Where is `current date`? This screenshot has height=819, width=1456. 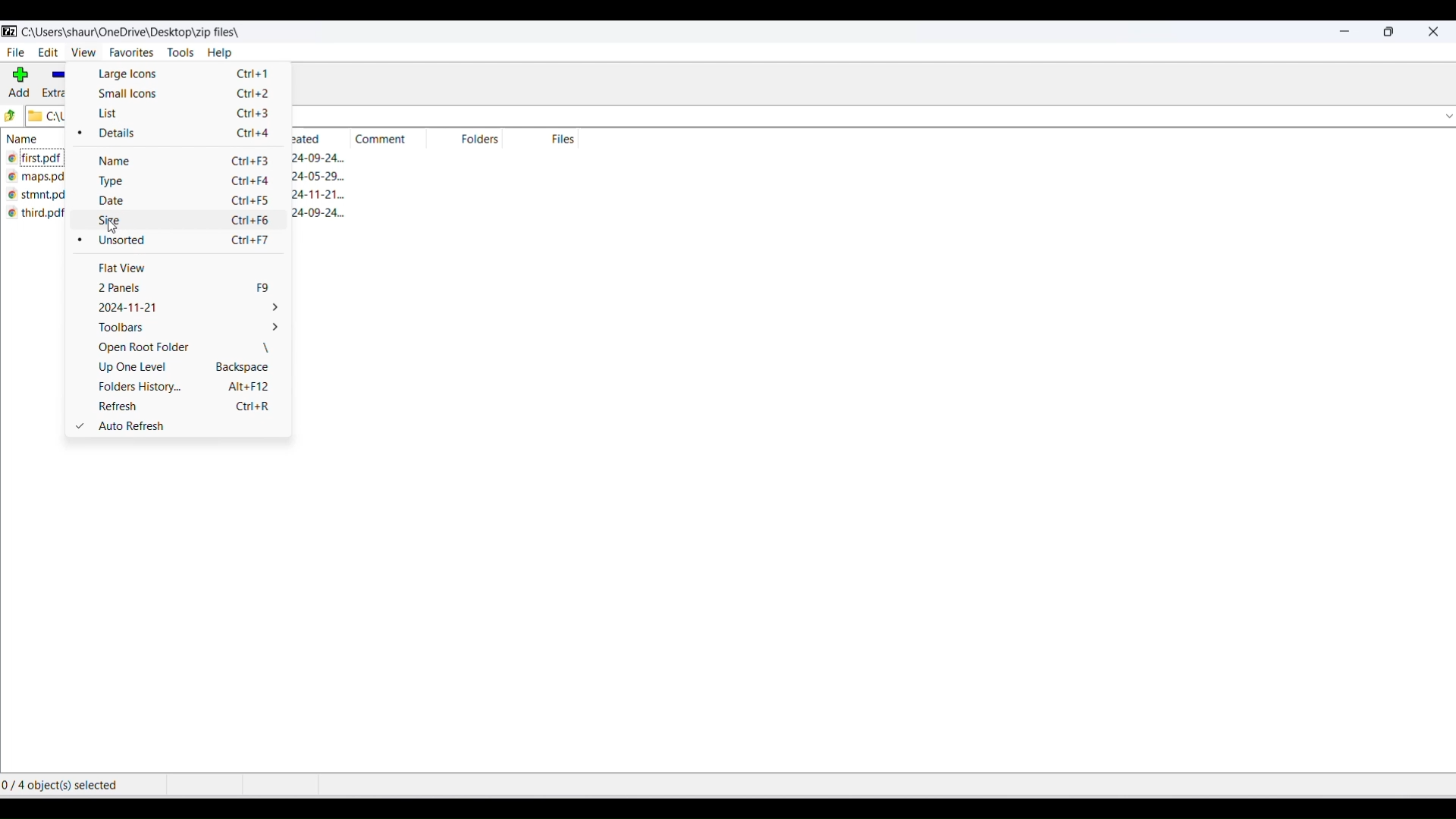
current date is located at coordinates (181, 309).